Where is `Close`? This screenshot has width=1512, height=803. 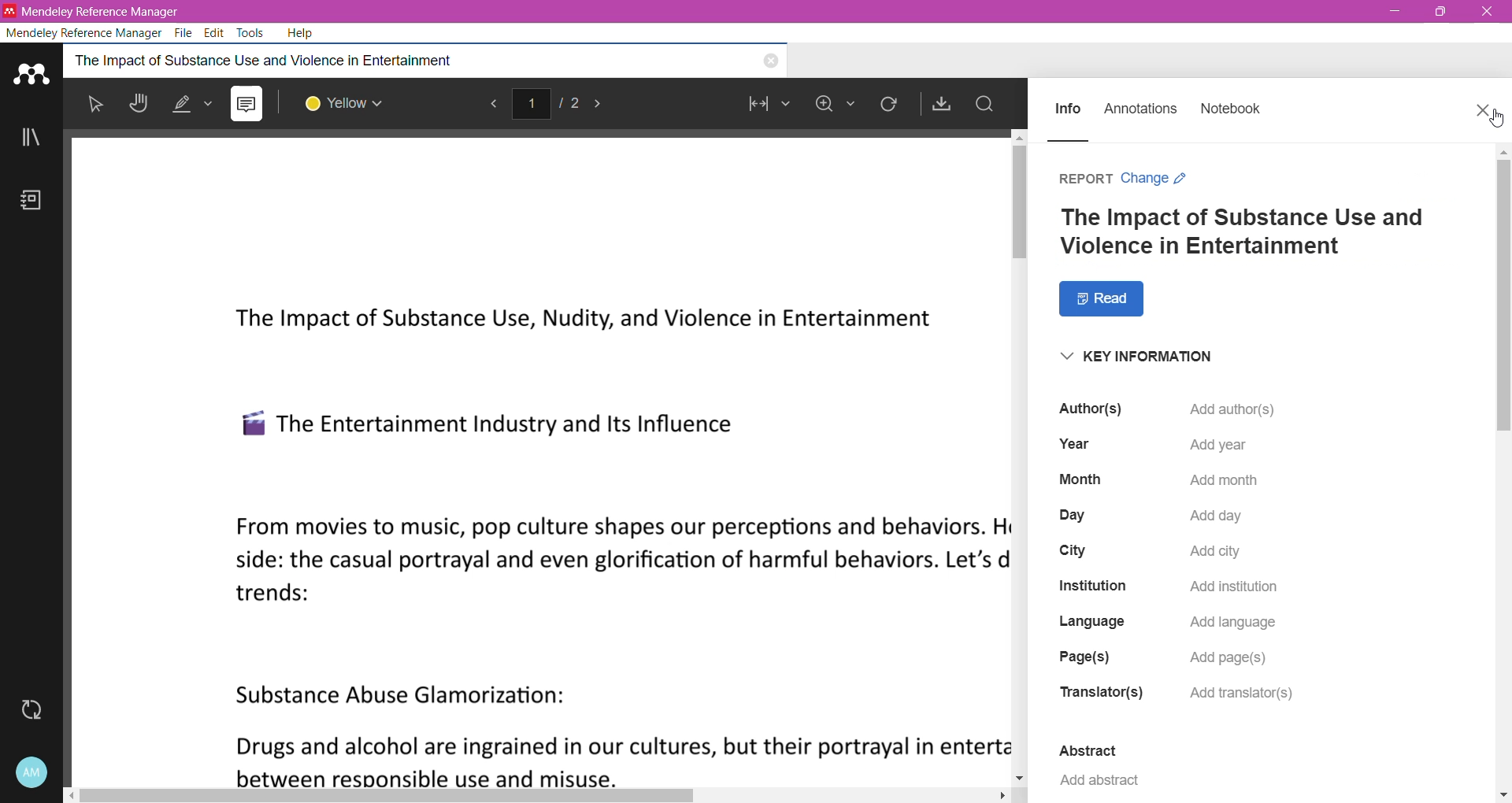 Close is located at coordinates (1480, 111).